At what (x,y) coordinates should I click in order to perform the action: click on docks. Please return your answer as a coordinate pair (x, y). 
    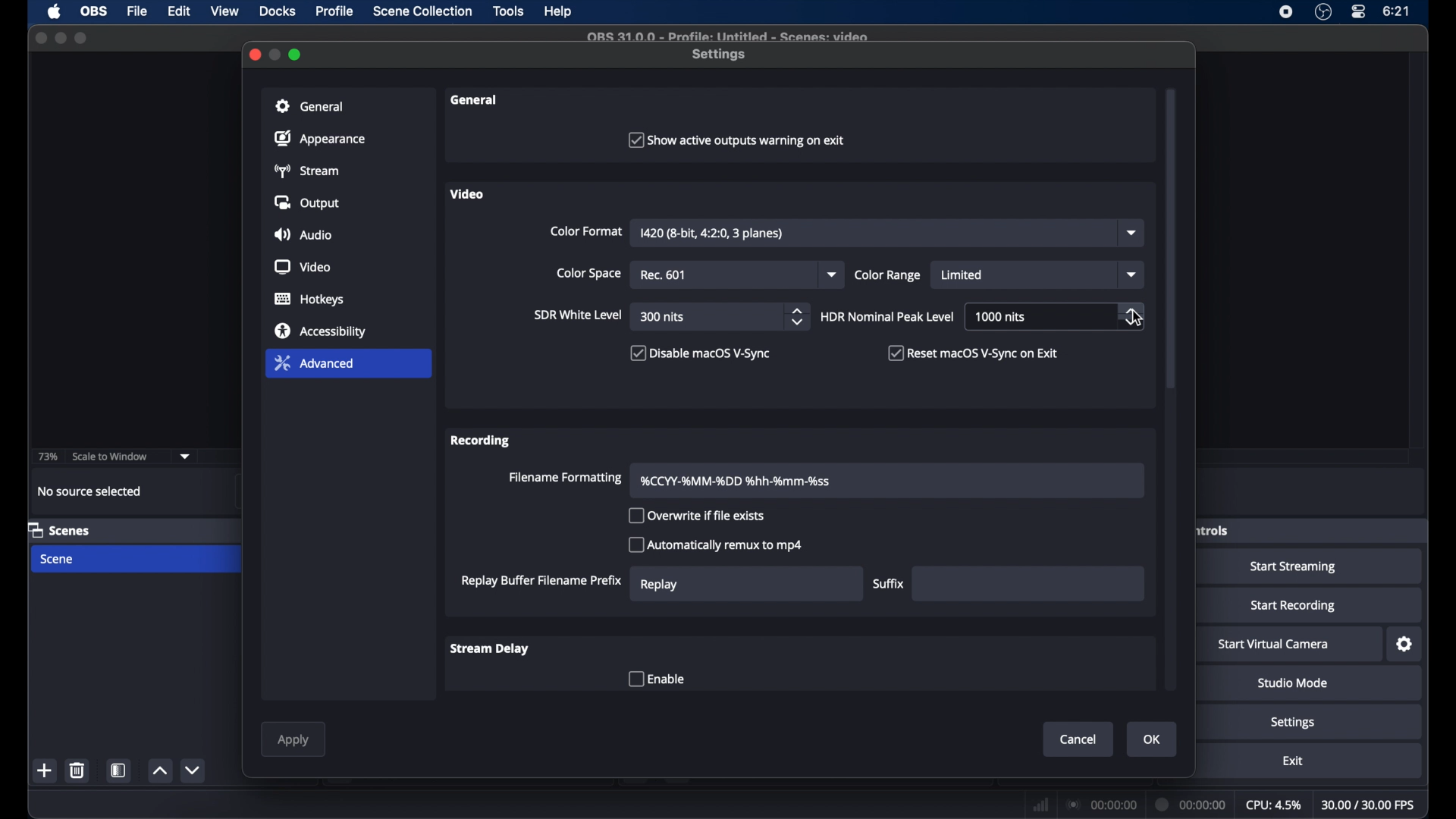
    Looking at the image, I should click on (278, 11).